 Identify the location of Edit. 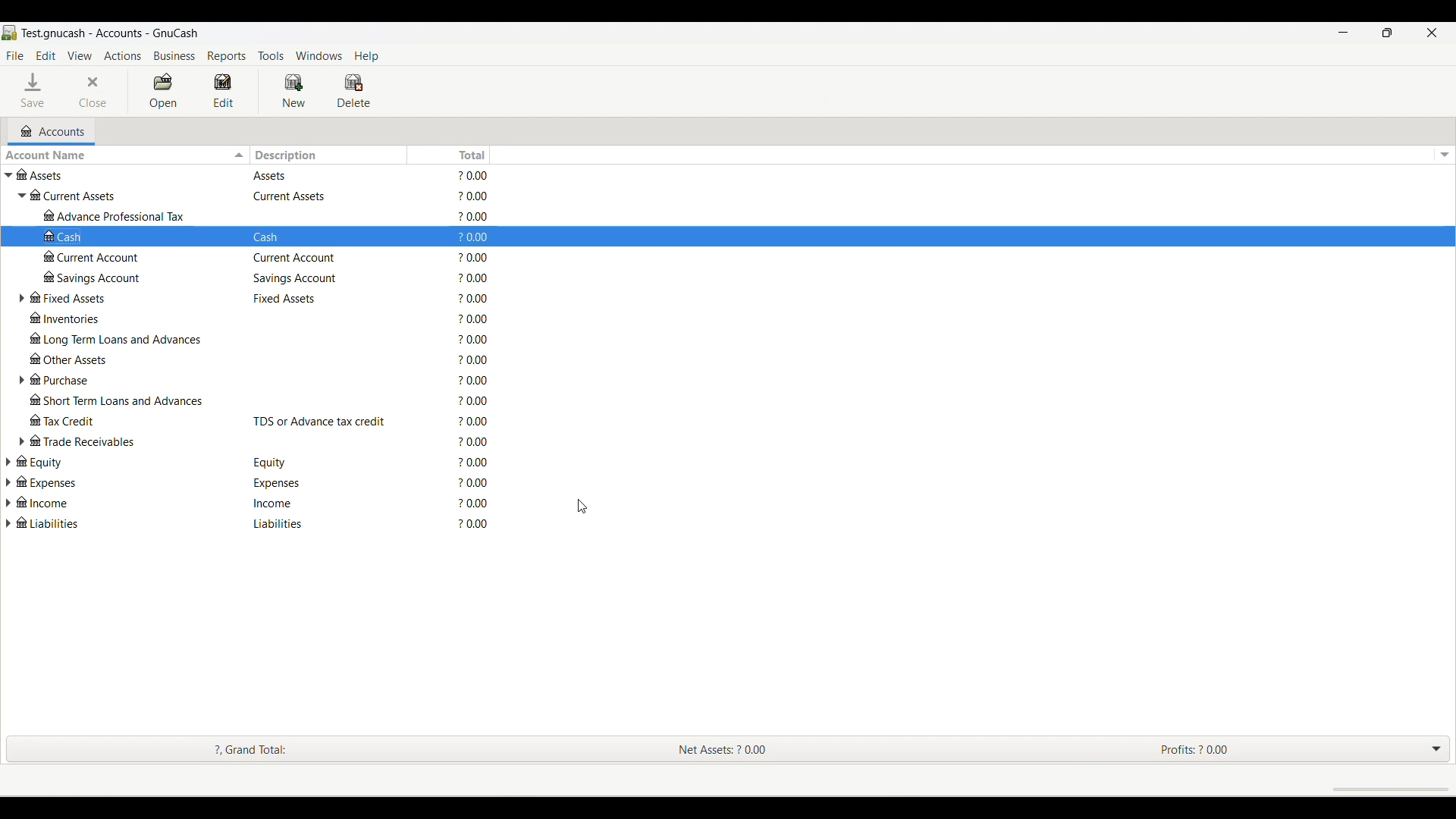
(46, 55).